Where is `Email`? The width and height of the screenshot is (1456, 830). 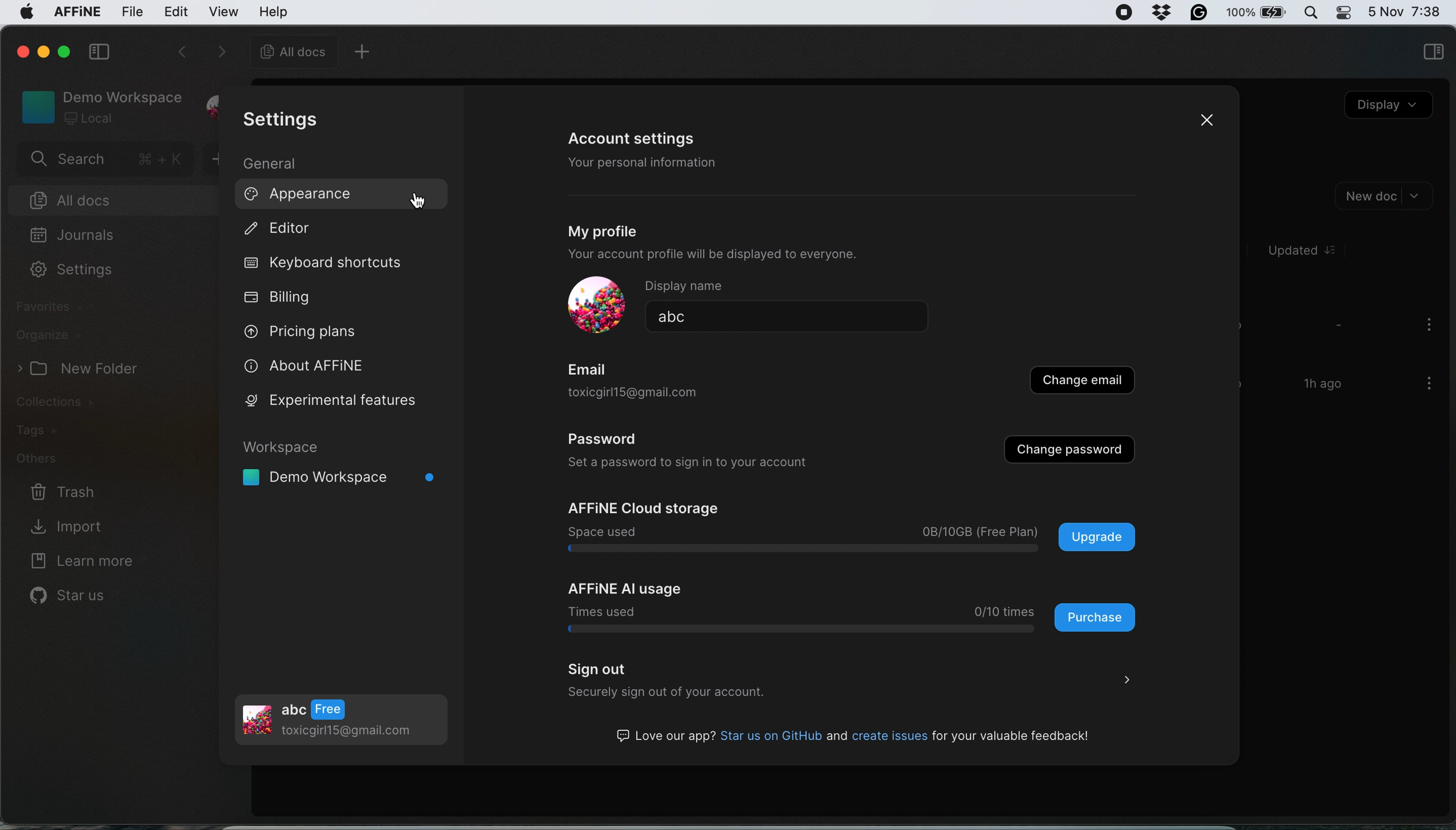 Email is located at coordinates (591, 371).